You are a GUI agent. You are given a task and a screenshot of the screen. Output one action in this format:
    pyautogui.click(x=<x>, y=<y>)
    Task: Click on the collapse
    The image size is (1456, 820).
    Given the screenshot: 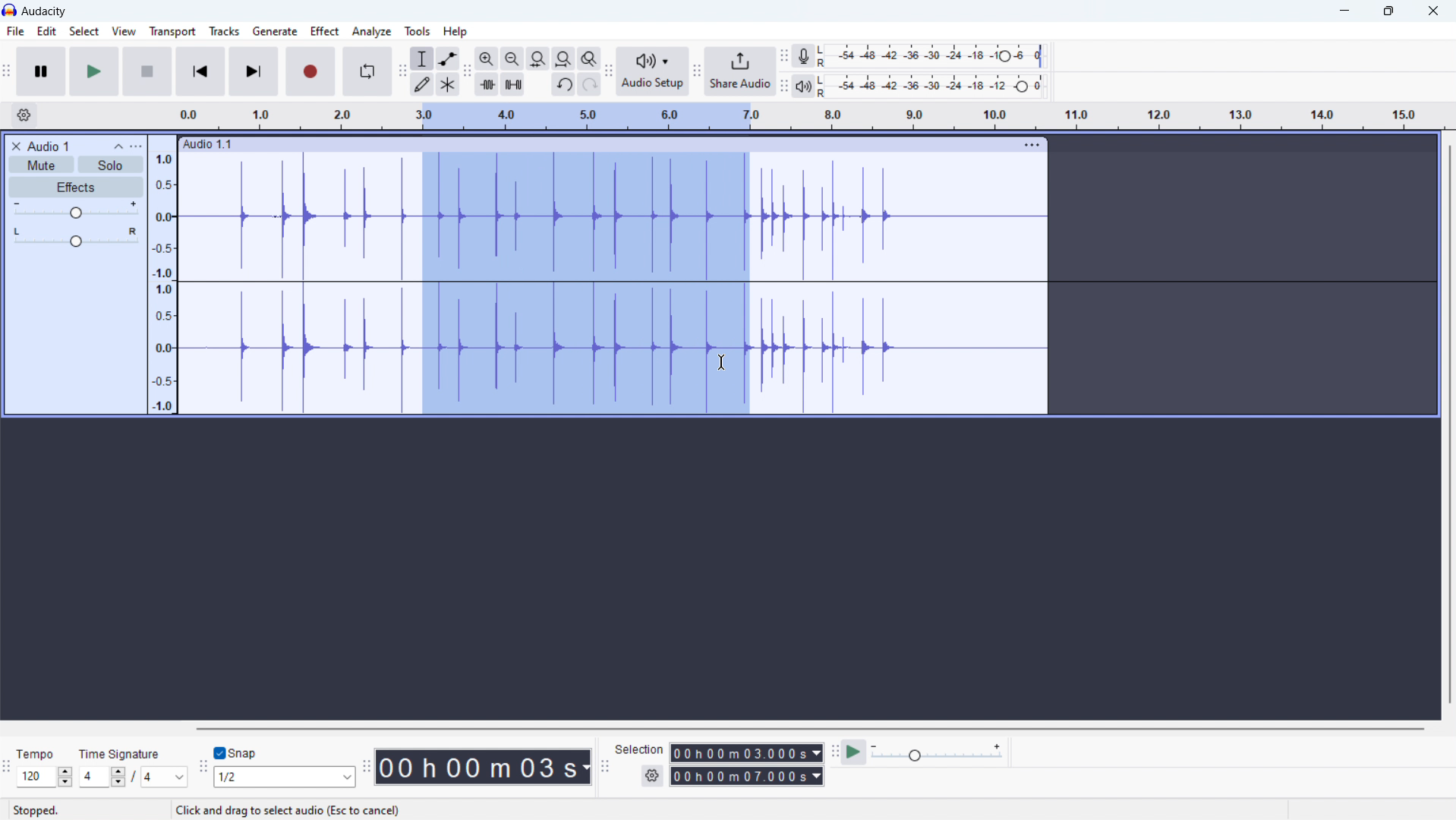 What is the action you would take?
    pyautogui.click(x=118, y=147)
    